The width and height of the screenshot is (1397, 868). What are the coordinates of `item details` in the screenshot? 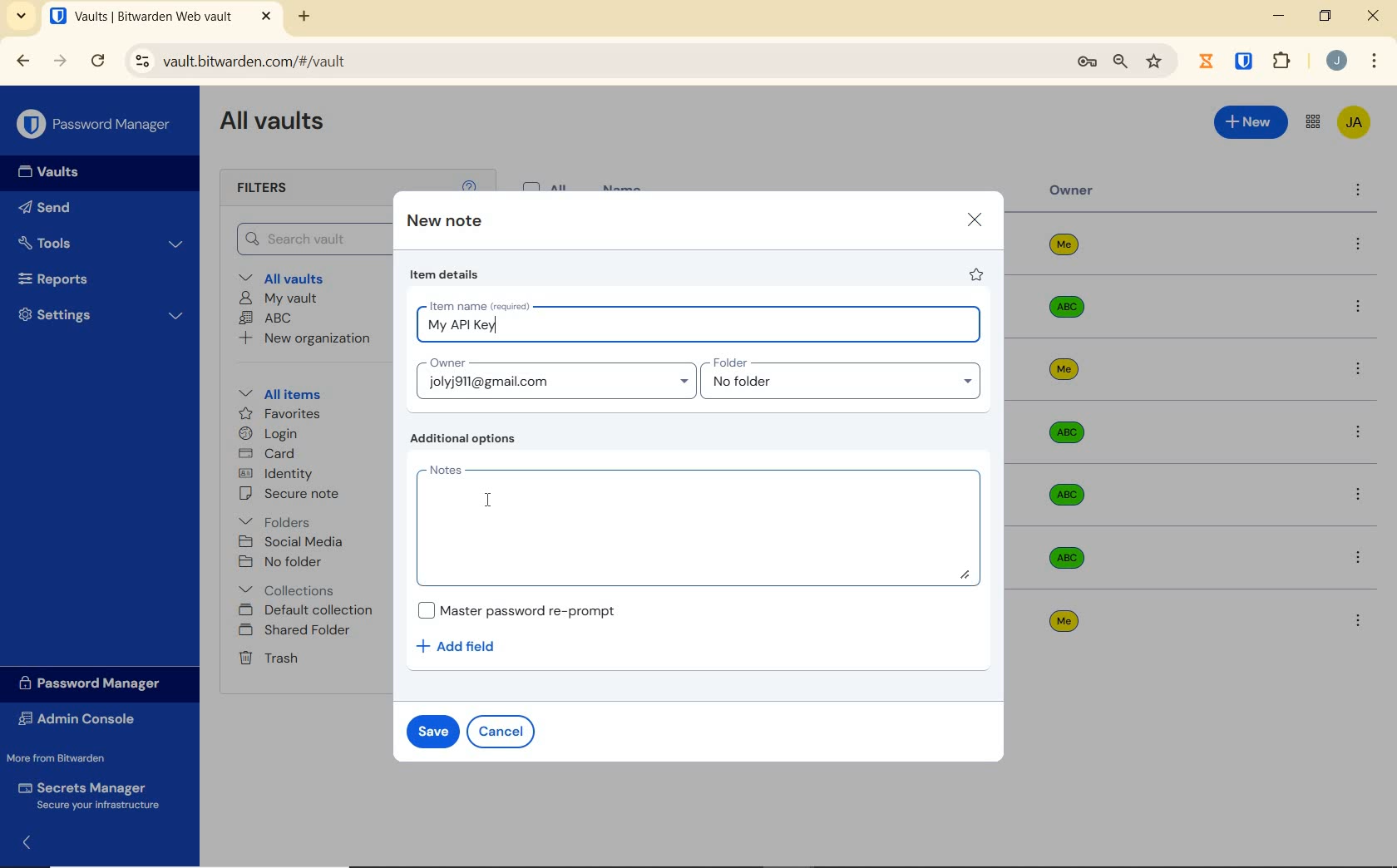 It's located at (445, 277).